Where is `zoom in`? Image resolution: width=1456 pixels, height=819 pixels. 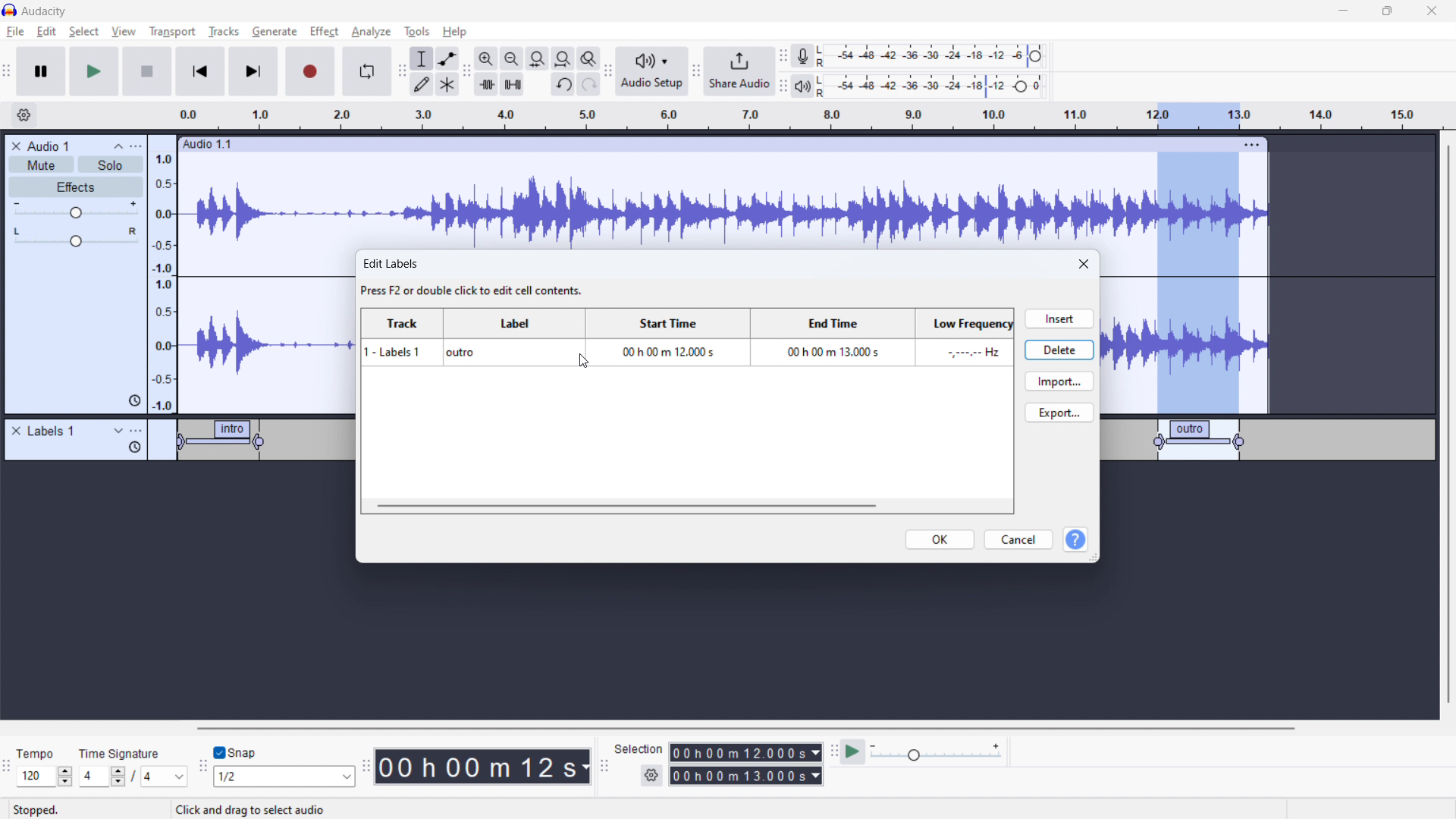
zoom in is located at coordinates (486, 58).